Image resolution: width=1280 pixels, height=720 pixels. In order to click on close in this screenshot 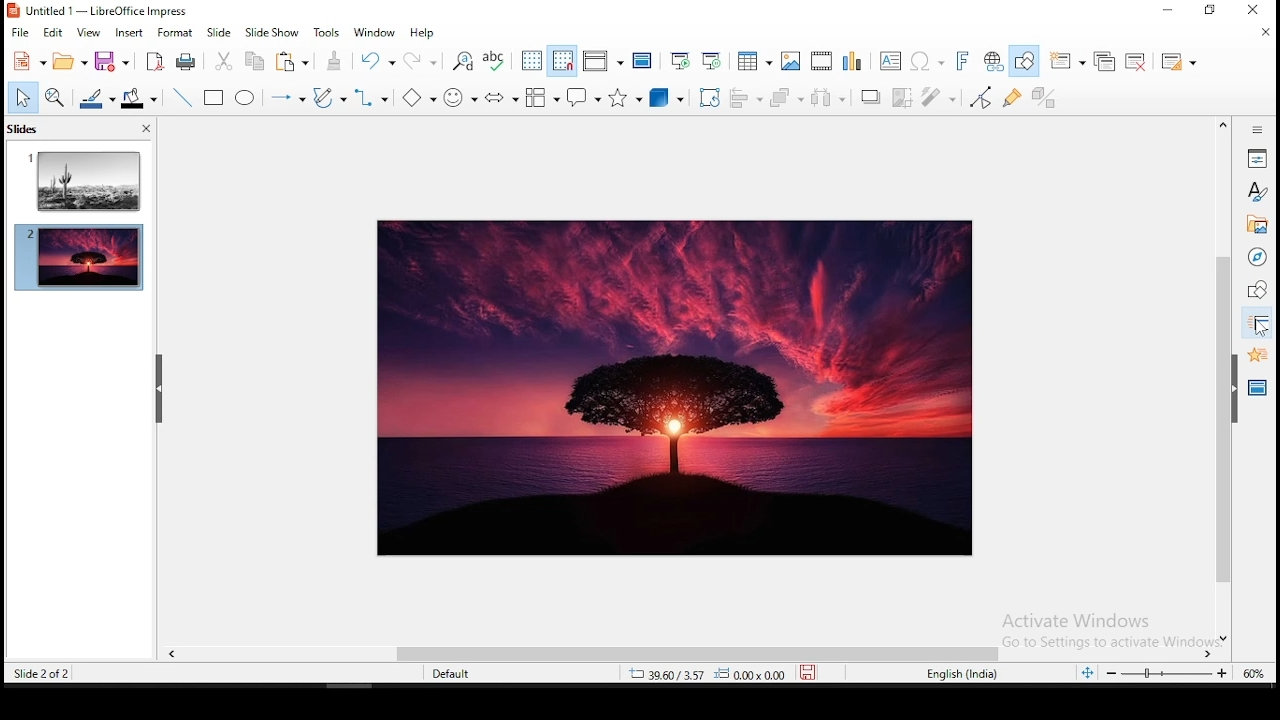, I will do `click(145, 129)`.